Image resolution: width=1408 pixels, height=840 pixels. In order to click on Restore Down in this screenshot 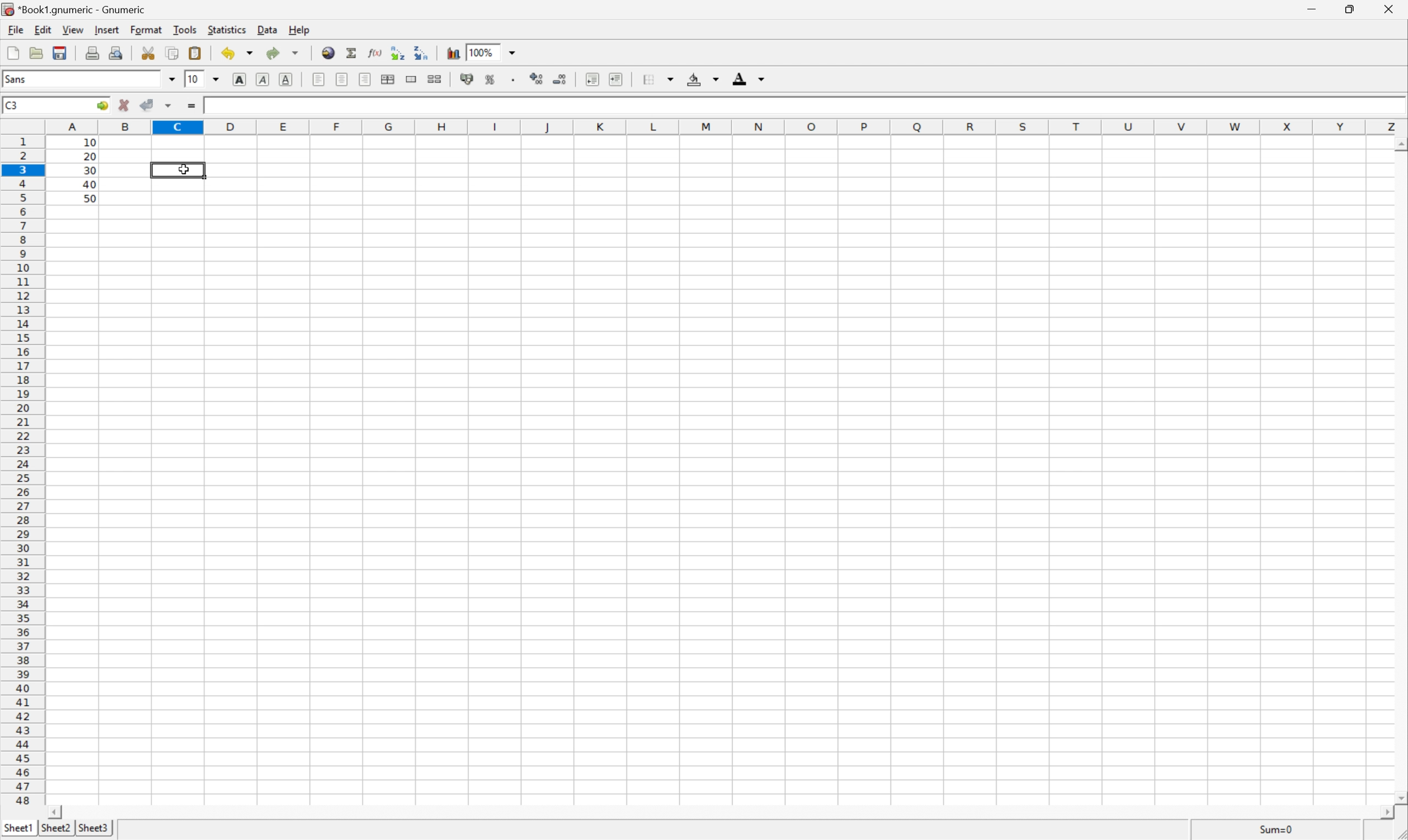, I will do `click(1346, 9)`.